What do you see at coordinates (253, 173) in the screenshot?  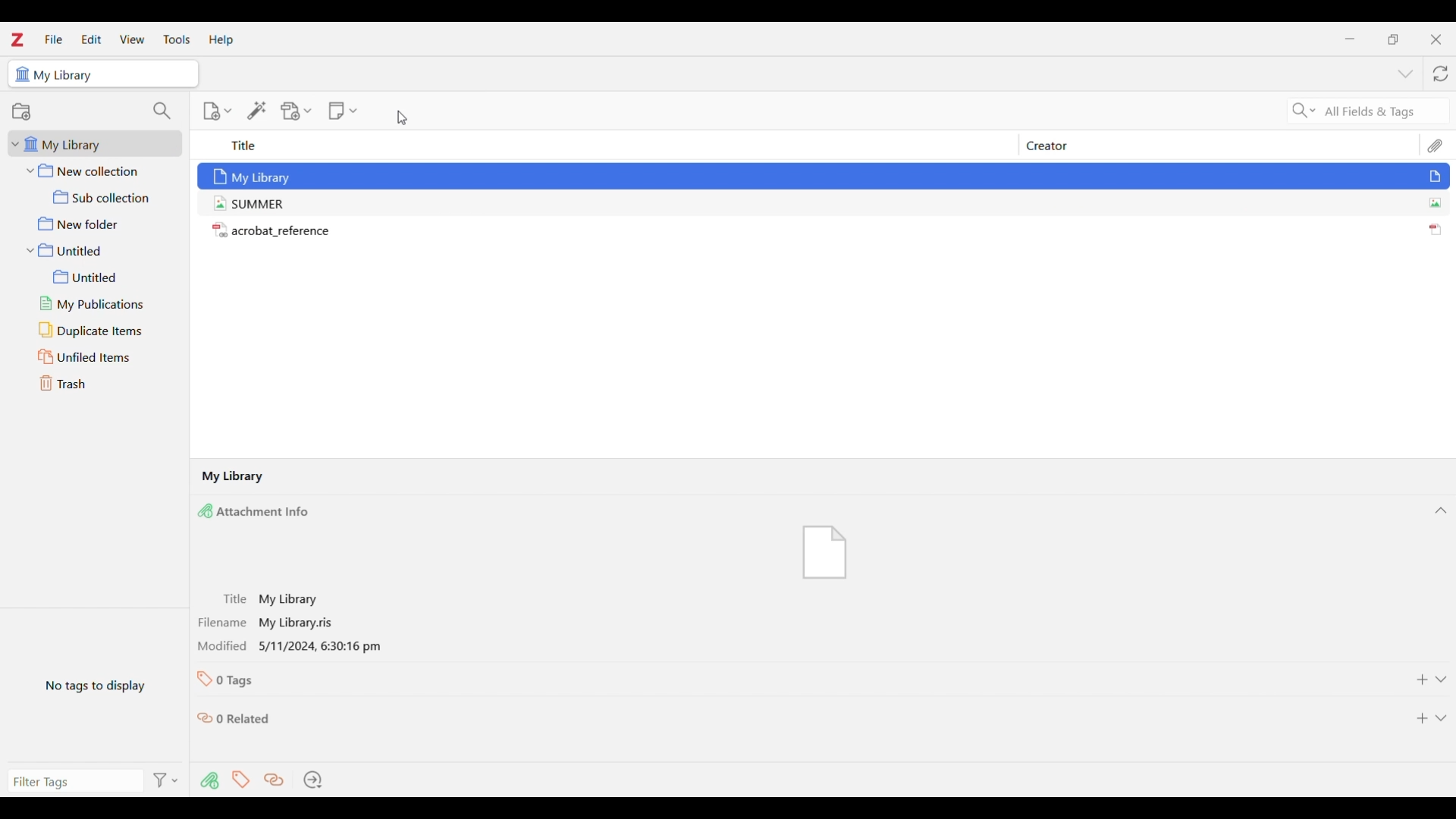 I see `My library` at bounding box center [253, 173].